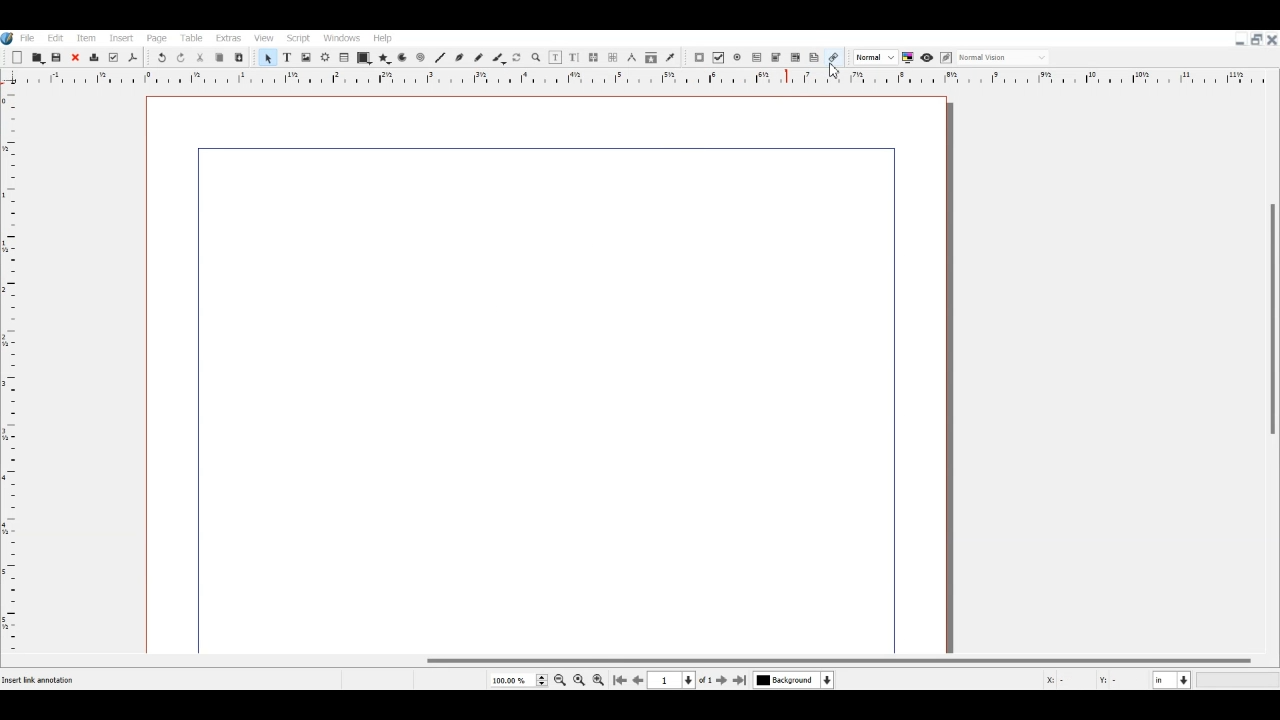 The image size is (1280, 720). Describe the element at coordinates (218, 57) in the screenshot. I see `Copy` at that location.